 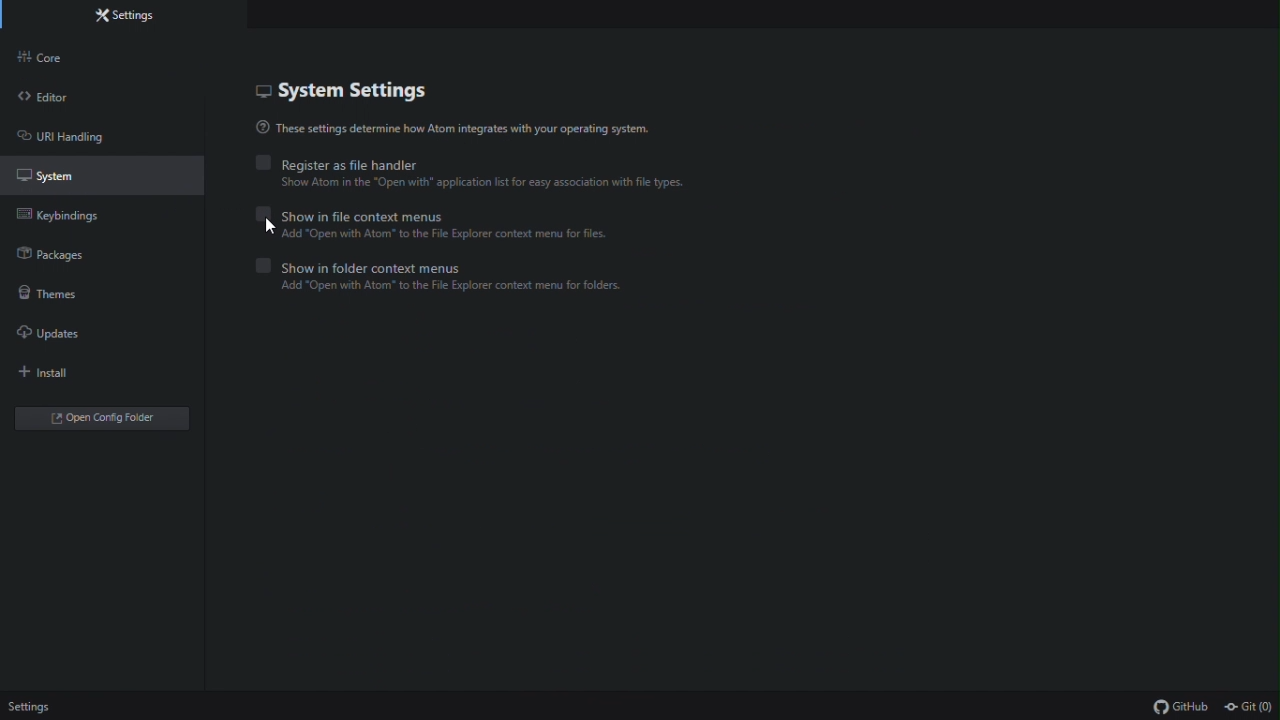 What do you see at coordinates (57, 96) in the screenshot?
I see `Editor` at bounding box center [57, 96].